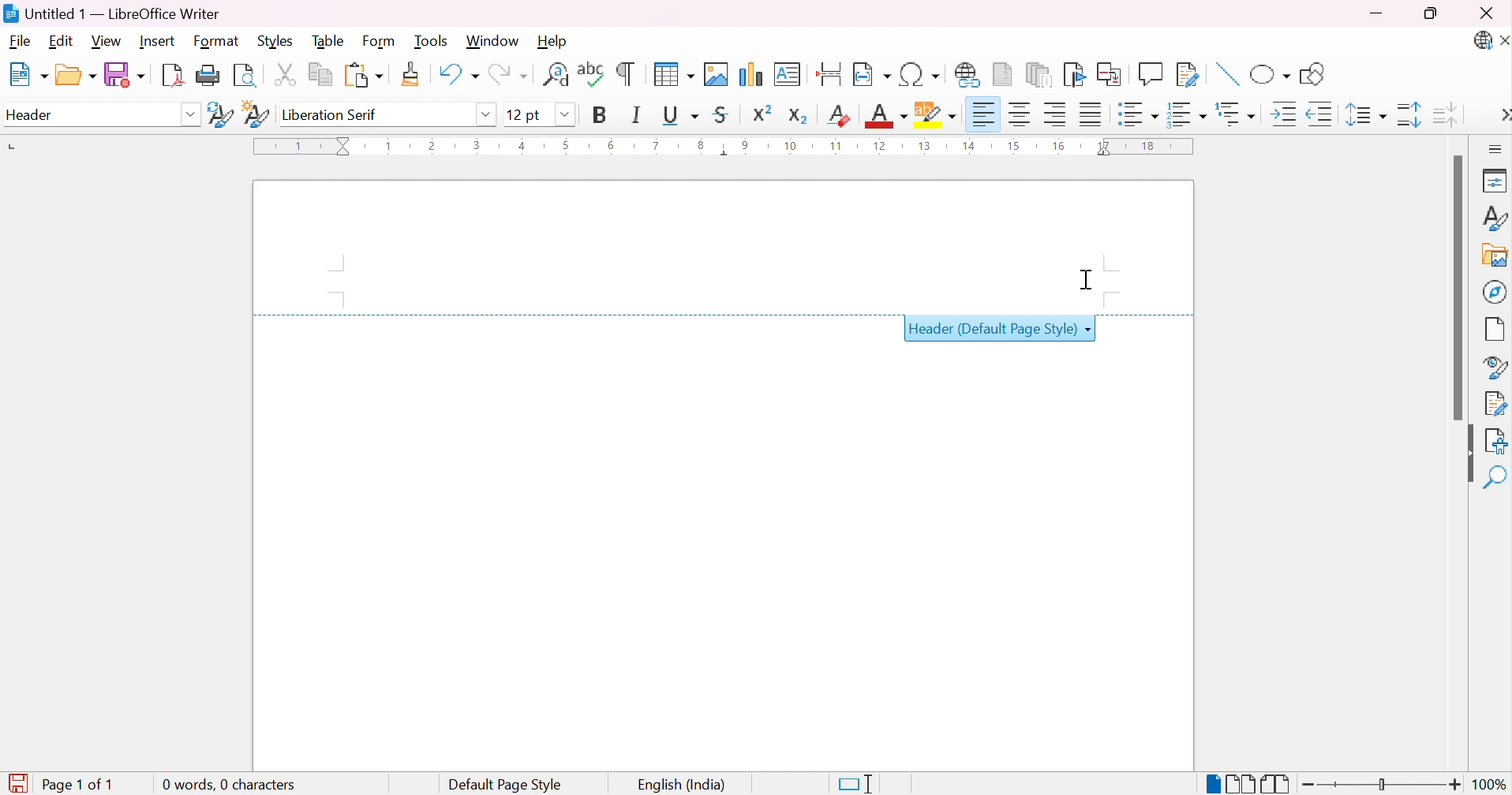  I want to click on Slider, so click(1382, 784).